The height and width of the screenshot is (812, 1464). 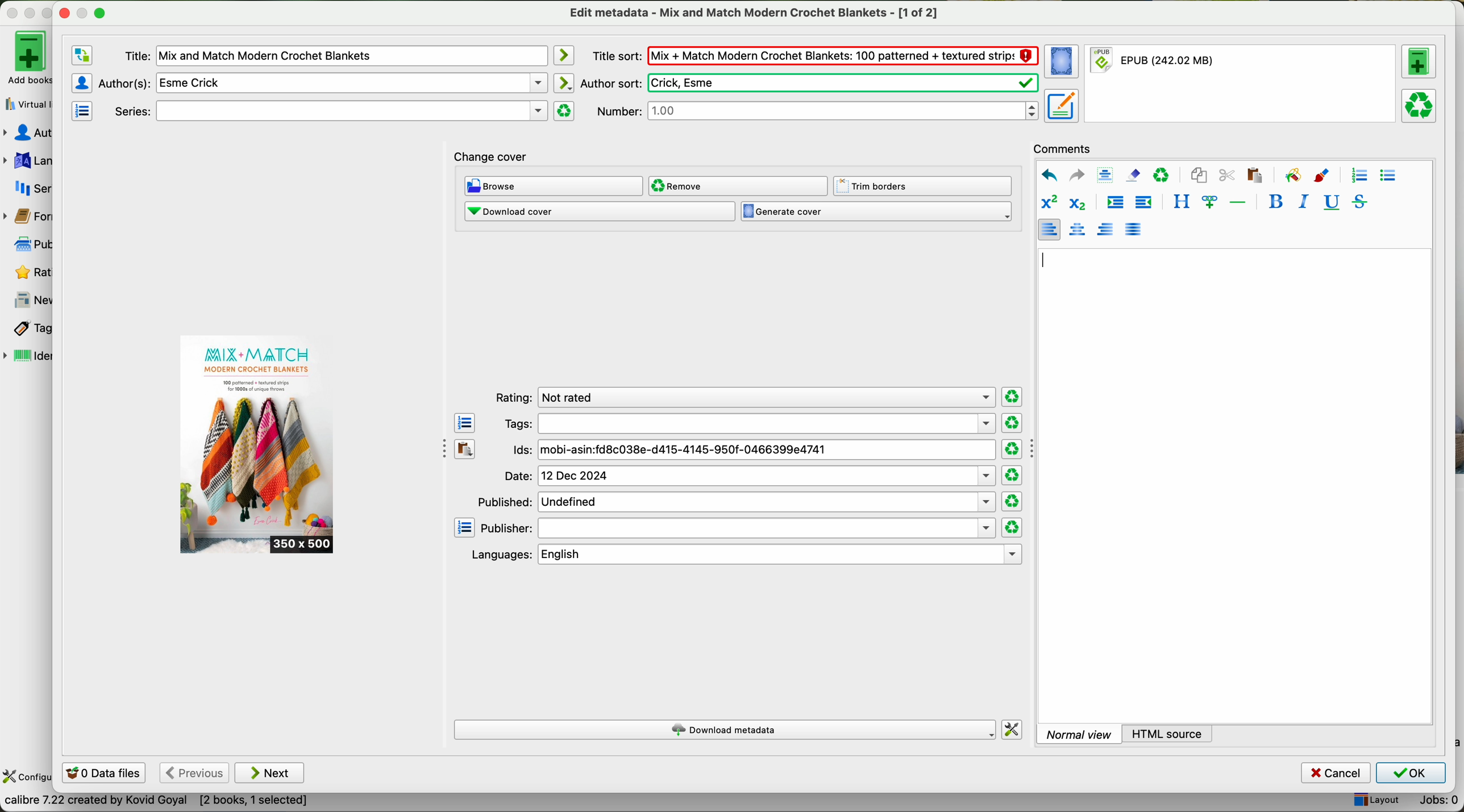 I want to click on decrease indentation, so click(x=1142, y=203).